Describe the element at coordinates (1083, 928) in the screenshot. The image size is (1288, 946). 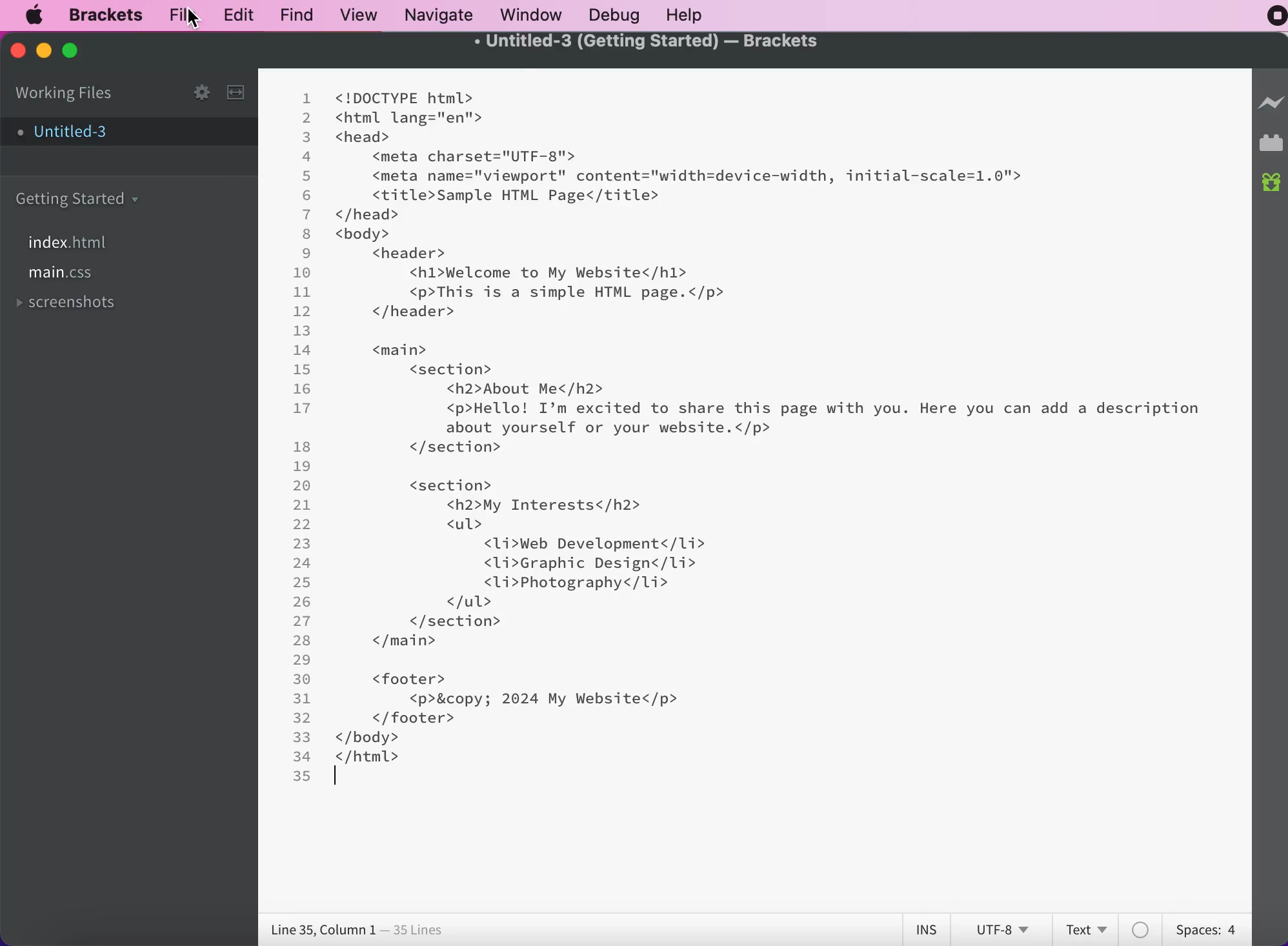
I see `text` at that location.